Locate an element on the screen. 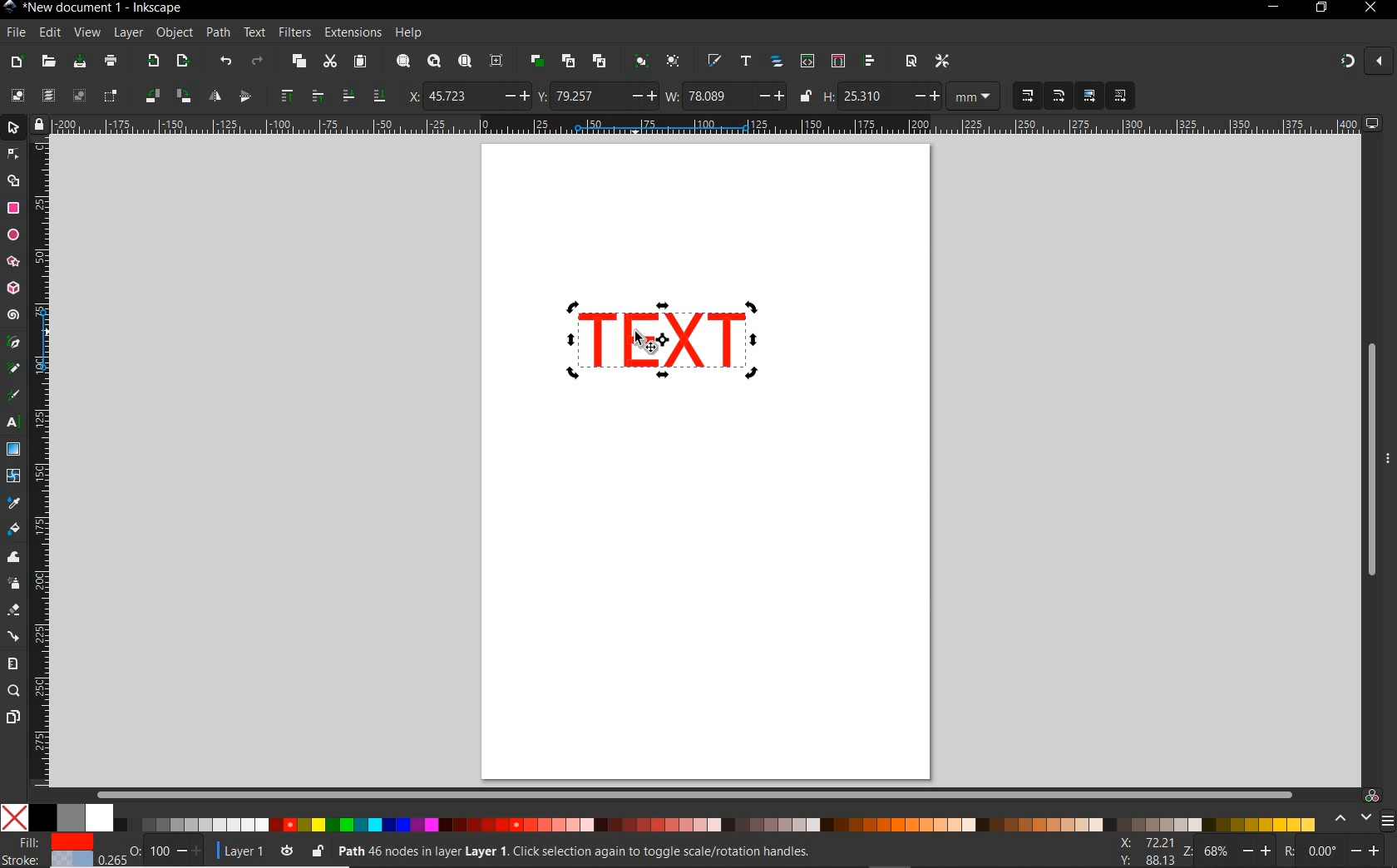 The width and height of the screenshot is (1397, 868). FILTERS is located at coordinates (294, 31).